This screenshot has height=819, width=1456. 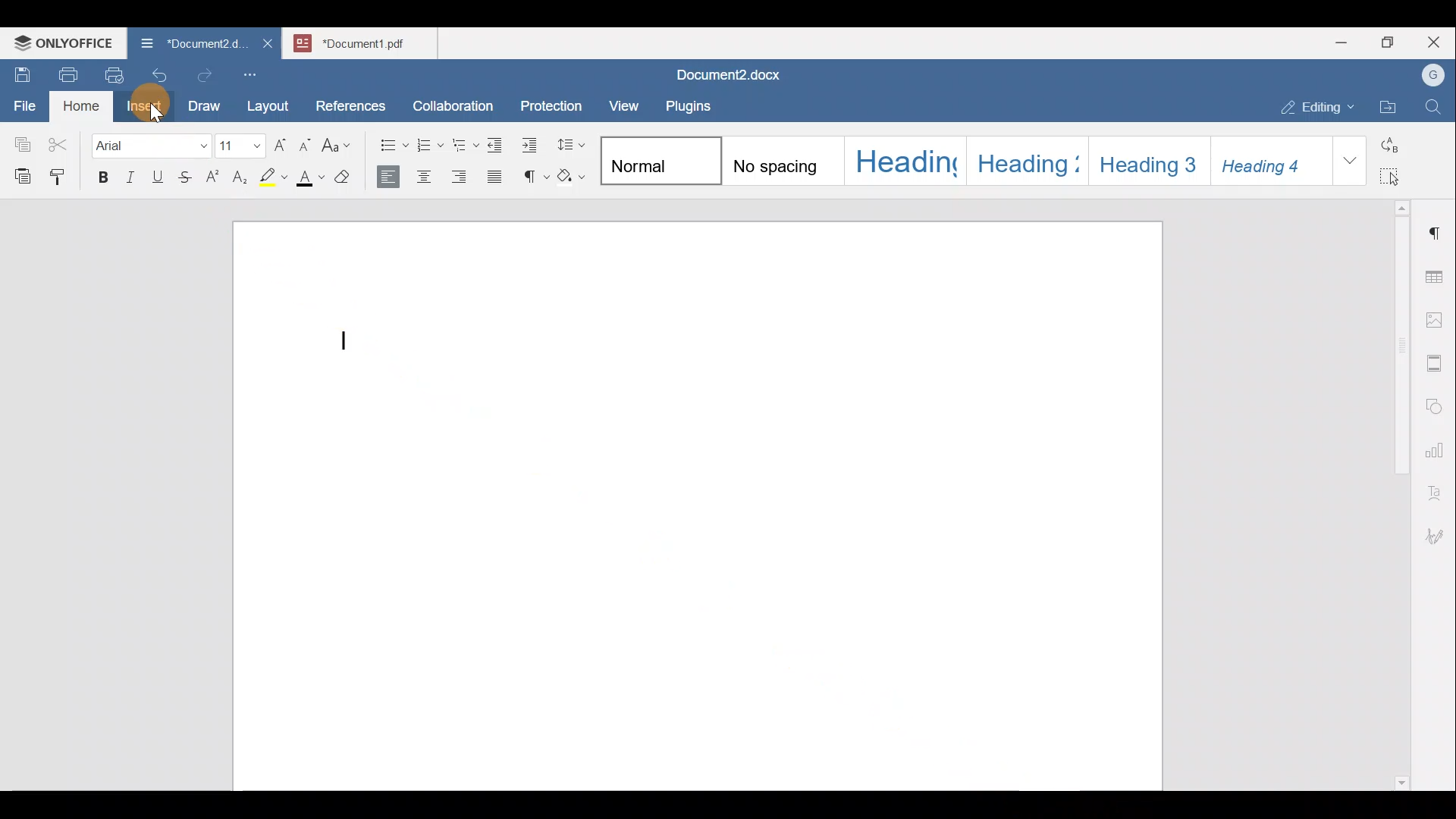 I want to click on Cursor on Insert, so click(x=141, y=109).